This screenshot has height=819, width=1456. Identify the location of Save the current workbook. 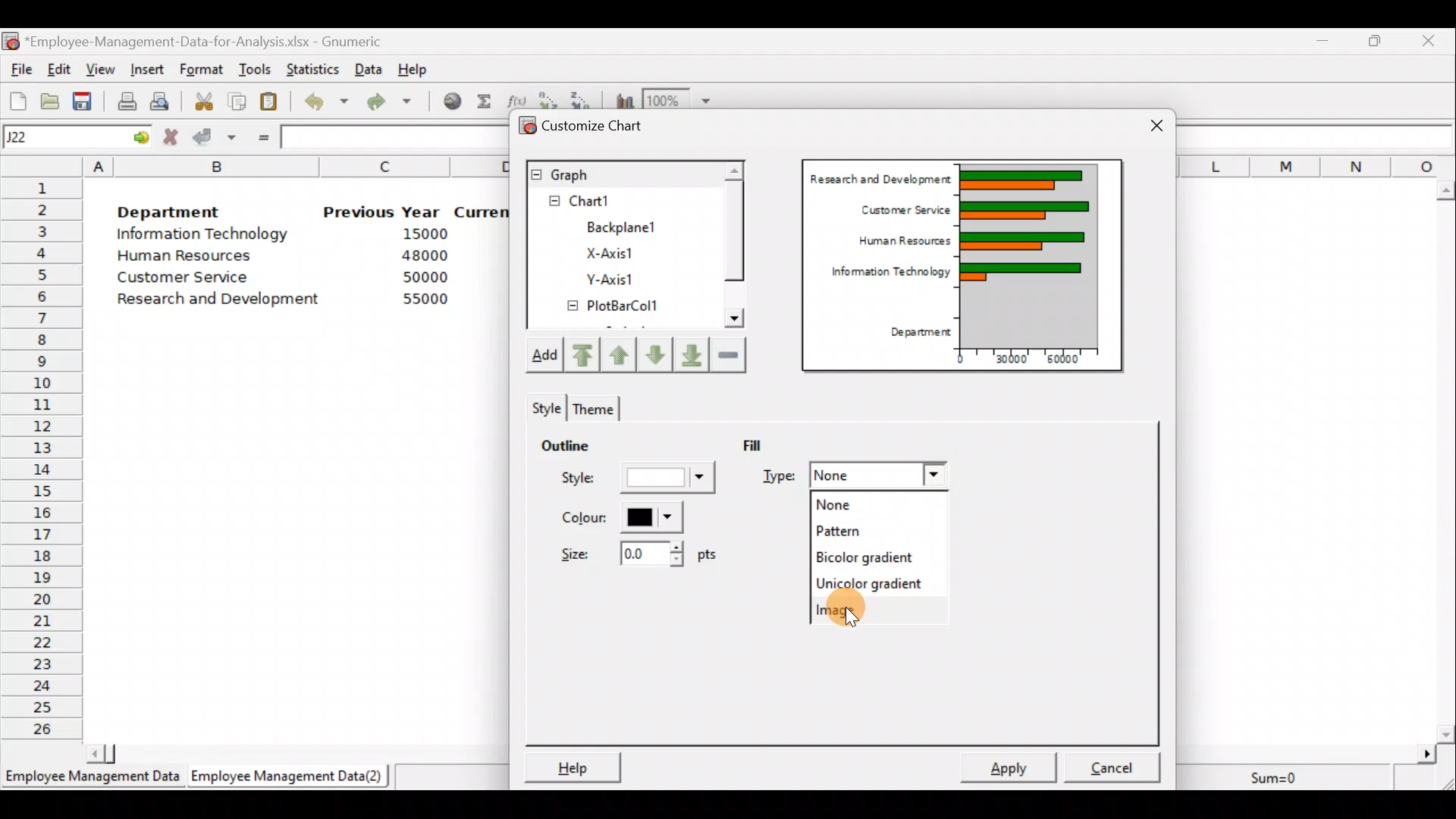
(83, 99).